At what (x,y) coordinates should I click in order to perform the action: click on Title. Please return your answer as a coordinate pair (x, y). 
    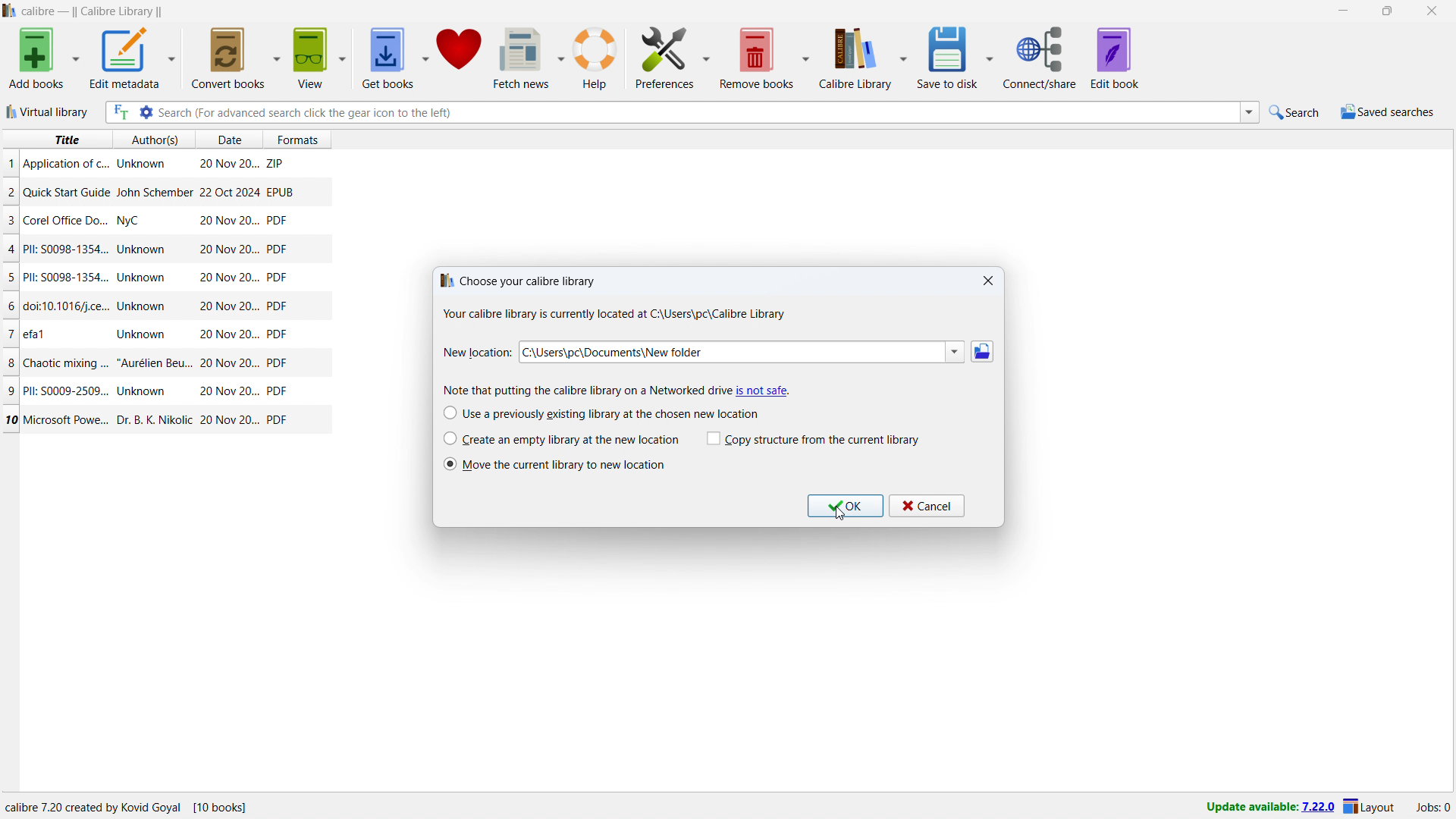
    Looking at the image, I should click on (70, 420).